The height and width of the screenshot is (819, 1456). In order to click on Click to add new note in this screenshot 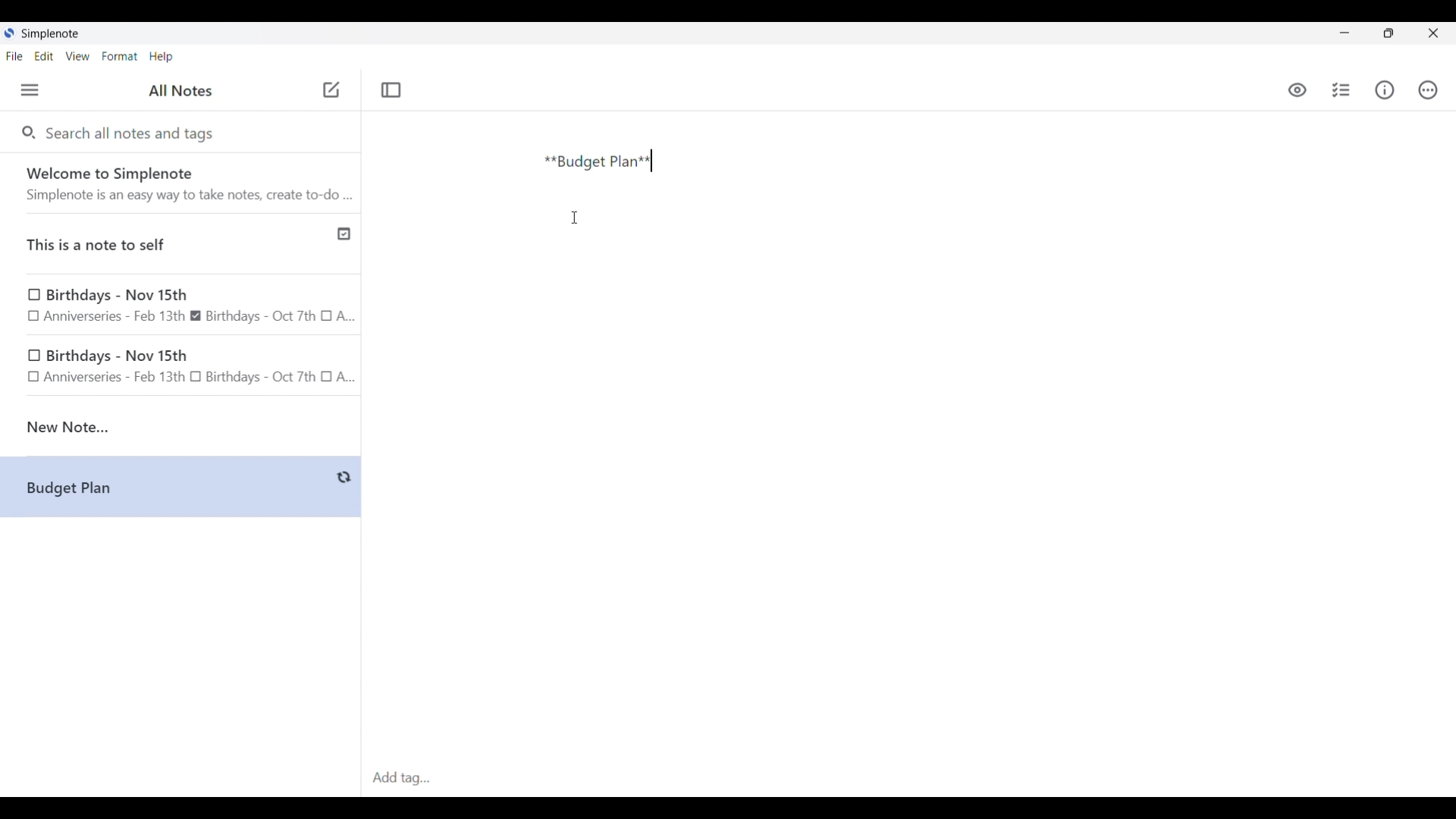, I will do `click(331, 89)`.